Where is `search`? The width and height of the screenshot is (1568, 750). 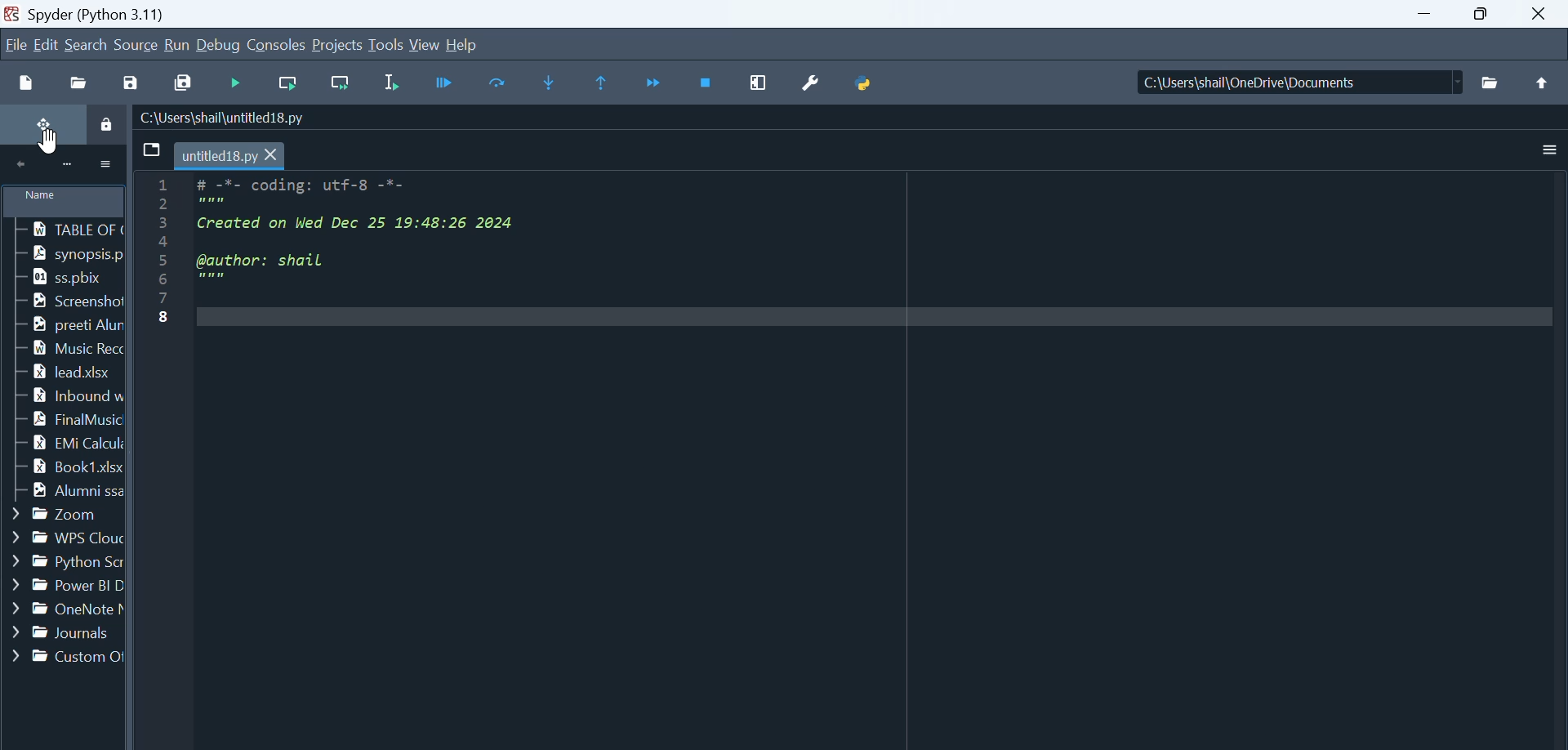 search is located at coordinates (87, 44).